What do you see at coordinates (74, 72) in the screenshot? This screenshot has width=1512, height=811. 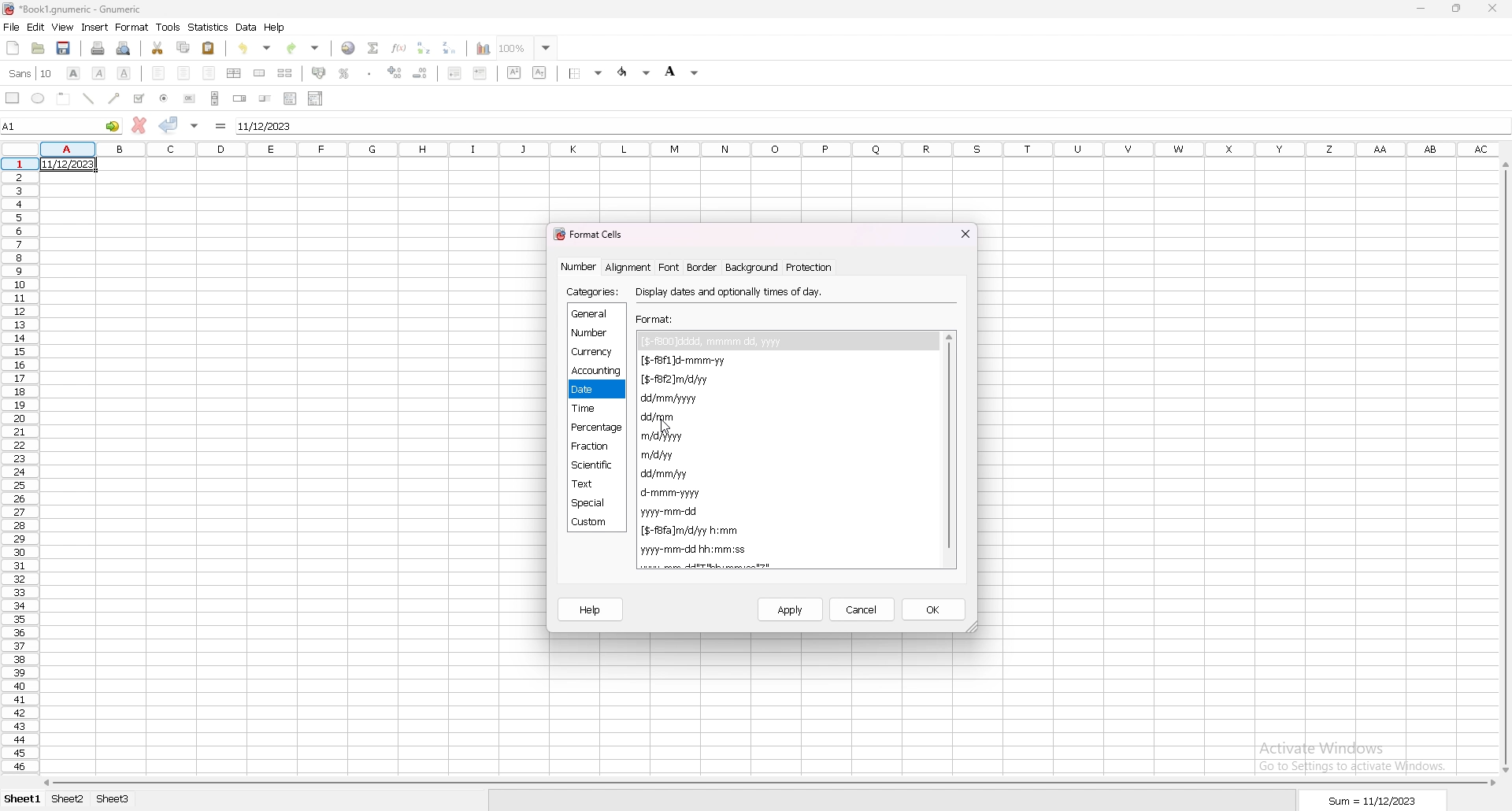 I see `bold` at bounding box center [74, 72].